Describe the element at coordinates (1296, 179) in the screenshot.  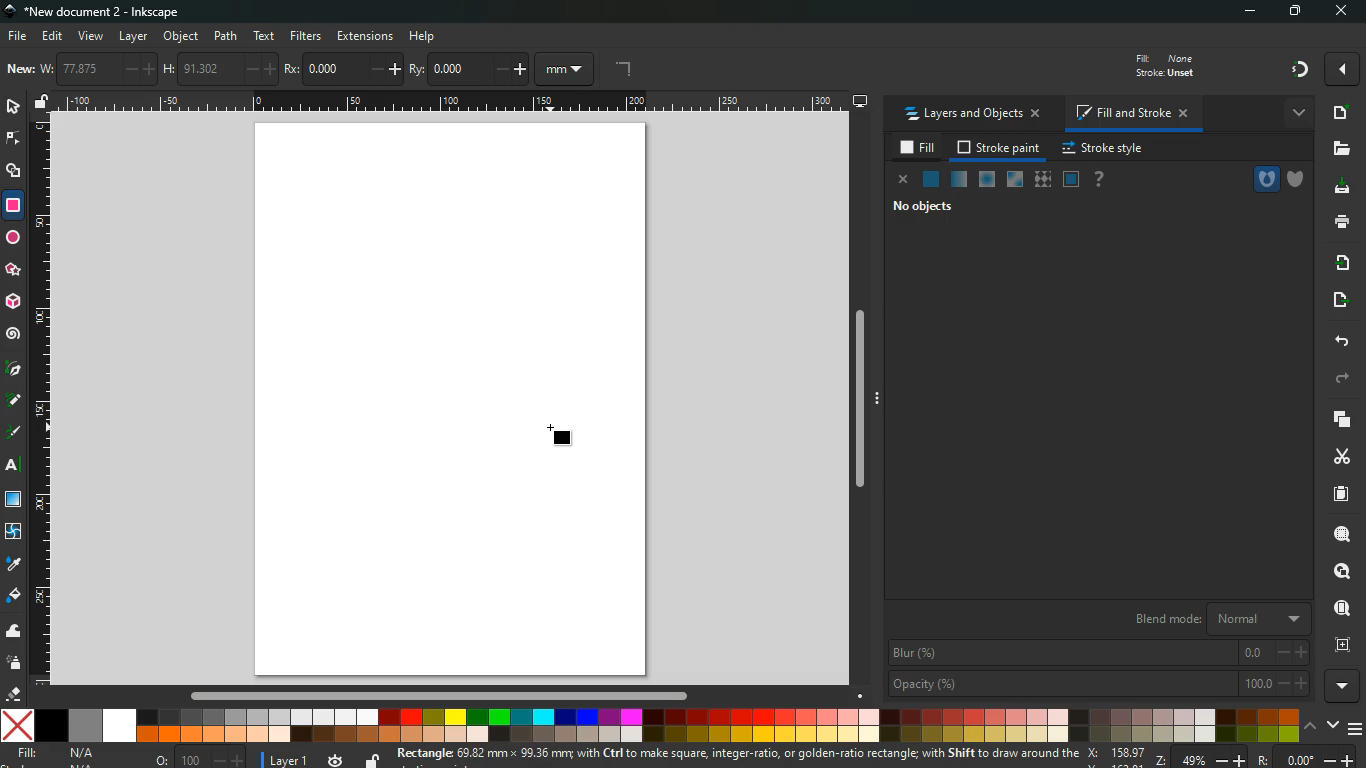
I see `shield` at that location.